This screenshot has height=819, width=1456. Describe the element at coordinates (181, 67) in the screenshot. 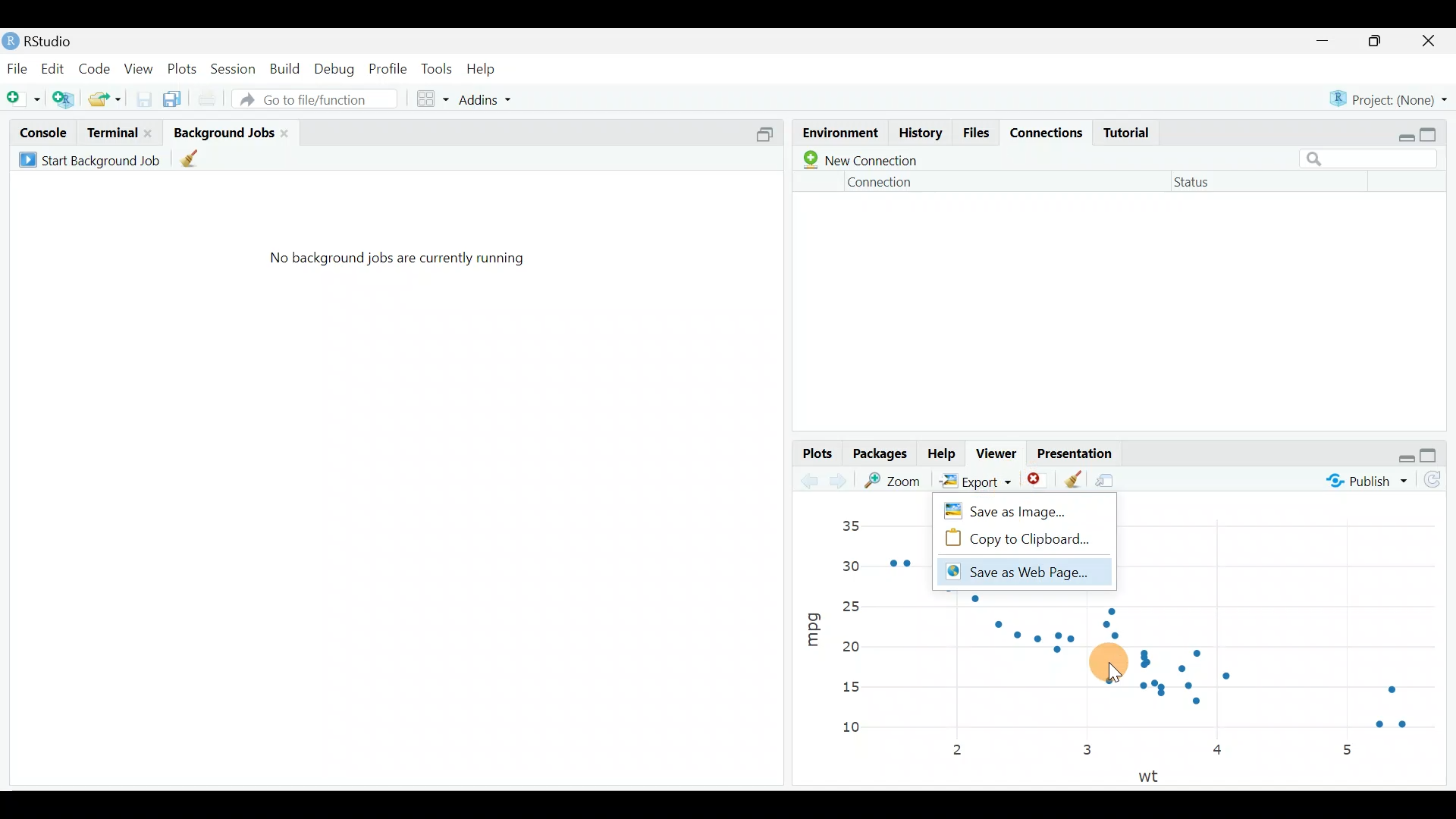

I see `Plots` at that location.